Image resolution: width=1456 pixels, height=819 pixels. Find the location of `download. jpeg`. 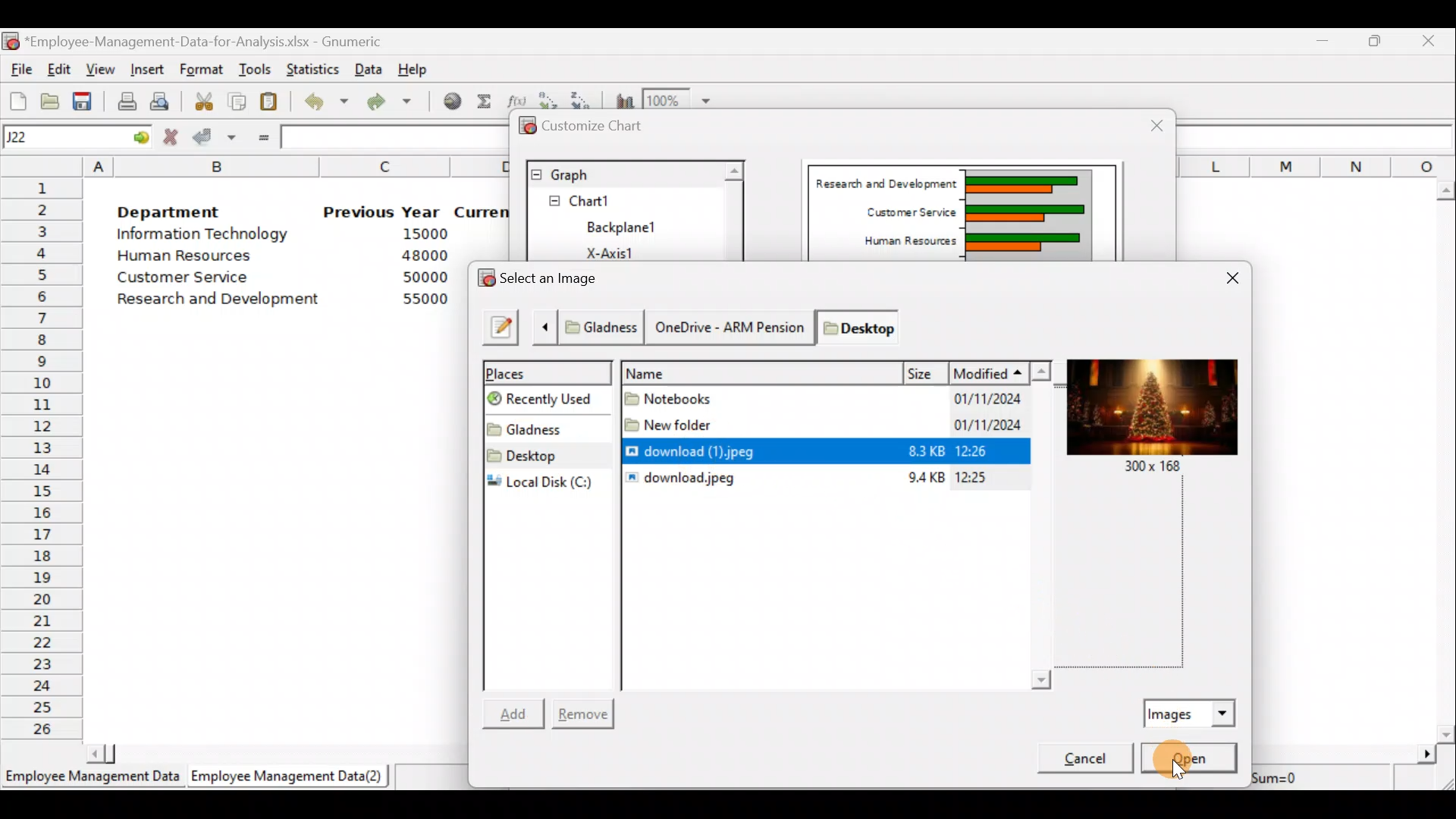

download. jpeg is located at coordinates (682, 479).